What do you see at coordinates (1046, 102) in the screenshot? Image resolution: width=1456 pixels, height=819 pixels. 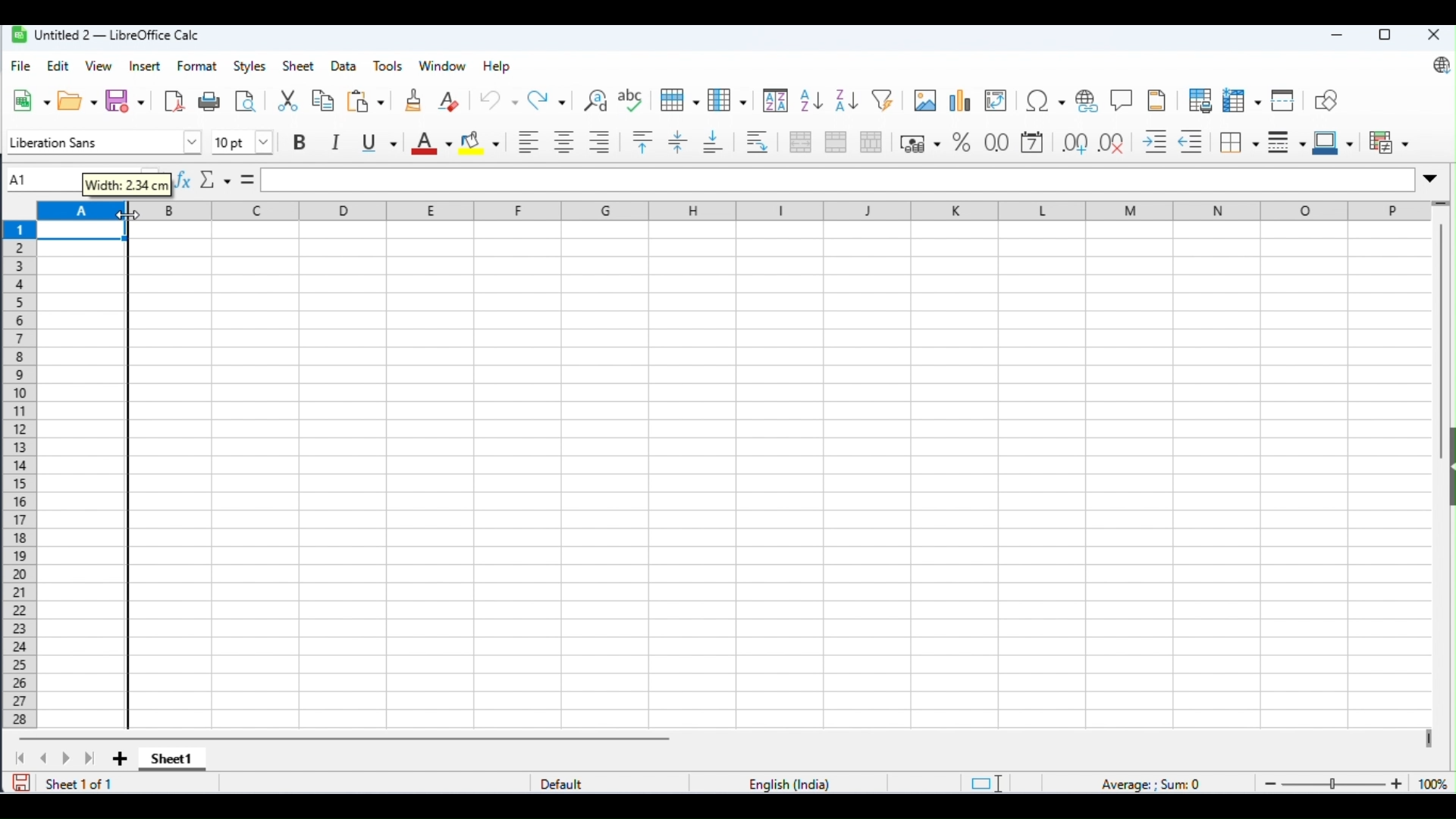 I see `insert special characters` at bounding box center [1046, 102].